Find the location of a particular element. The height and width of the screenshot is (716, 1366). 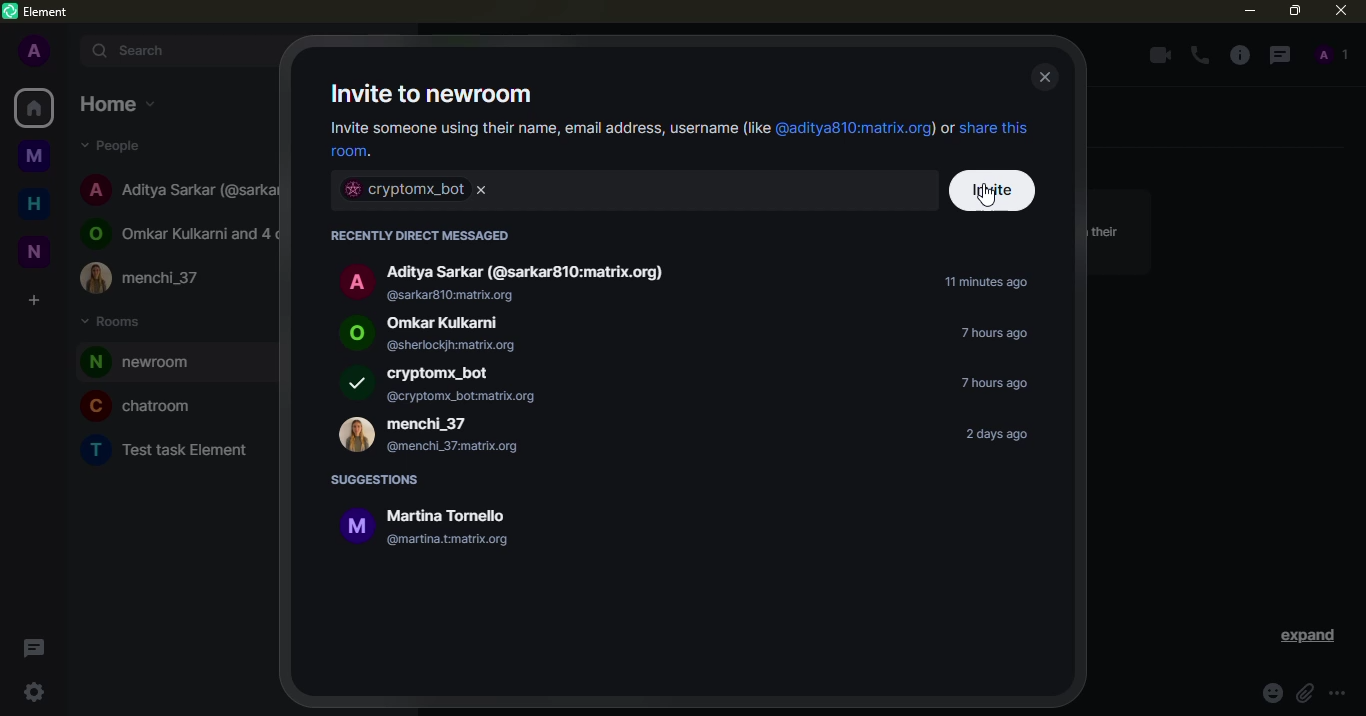

remove is located at coordinates (481, 190).